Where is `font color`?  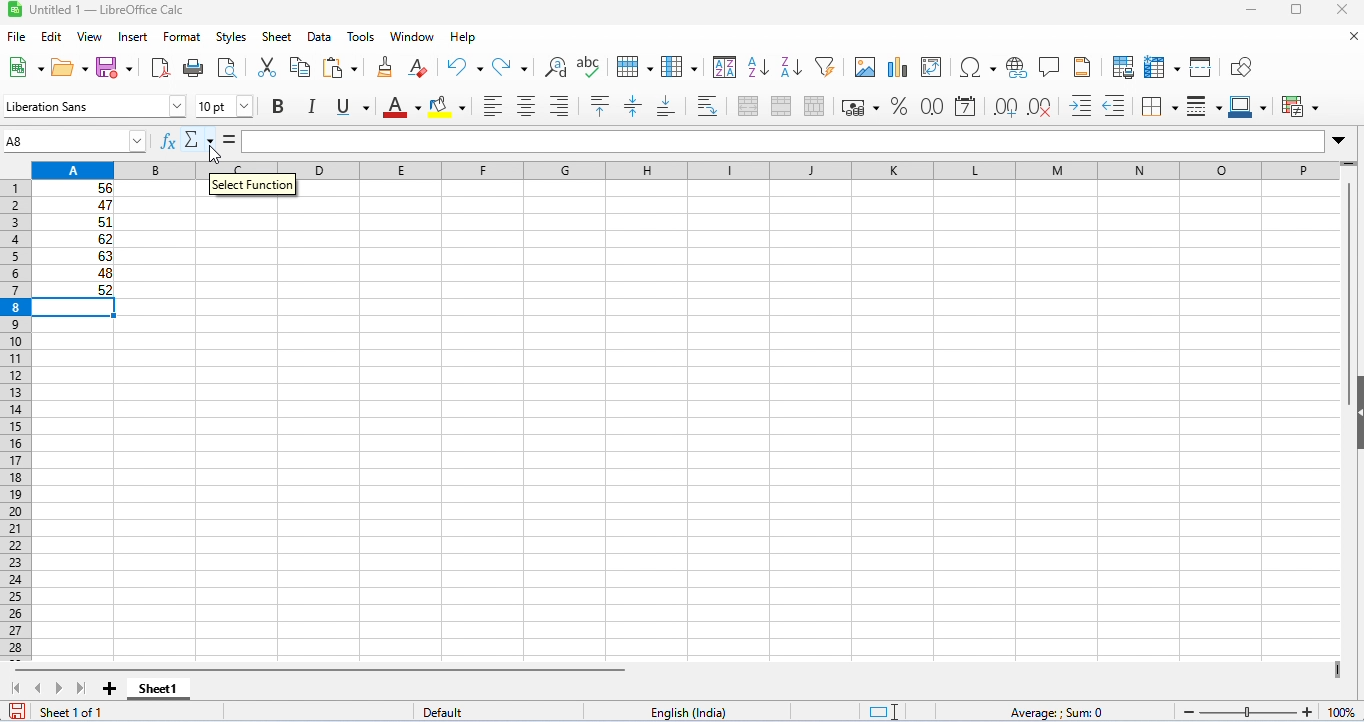 font color is located at coordinates (398, 106).